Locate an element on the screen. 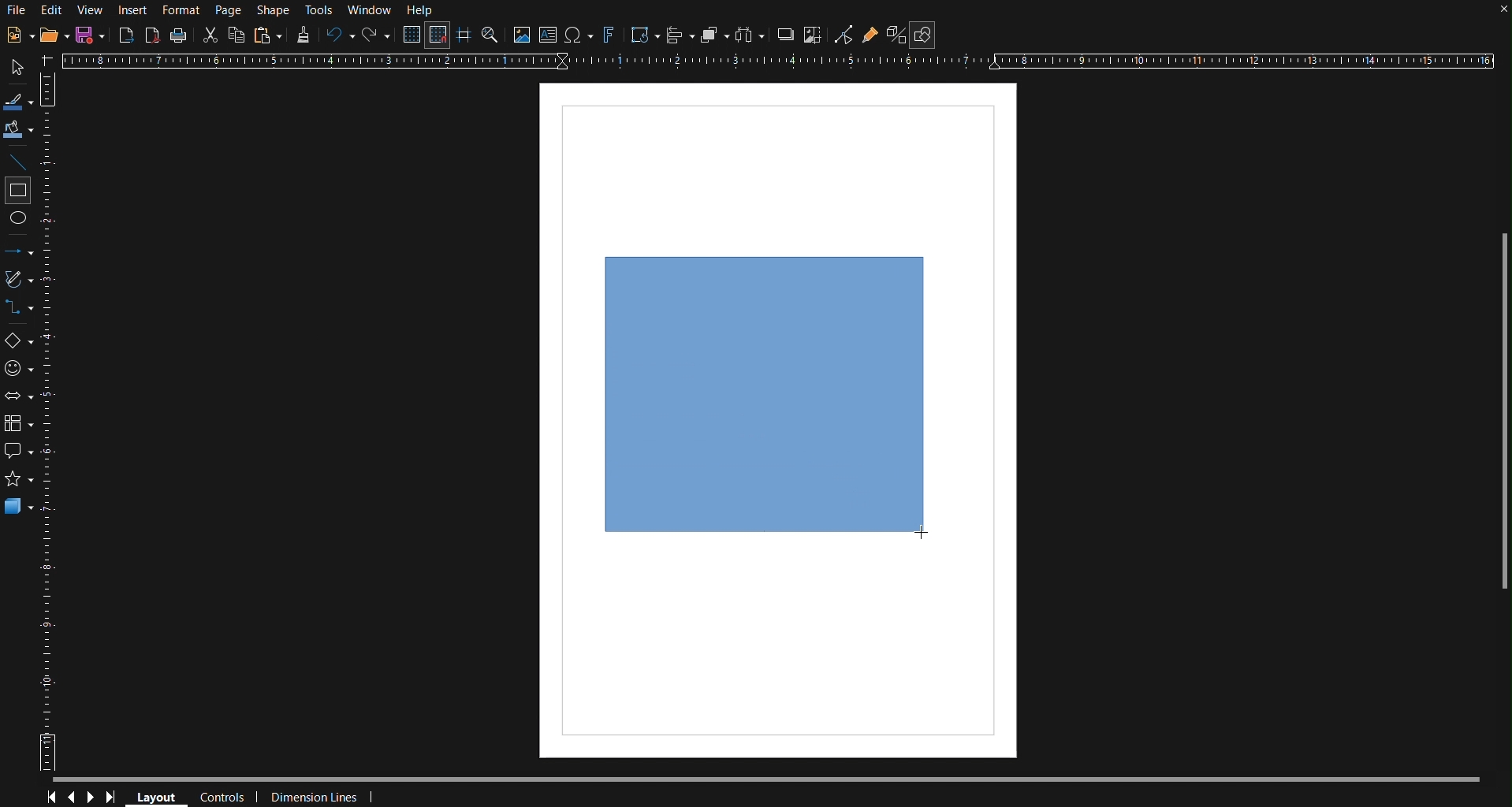  Cut is located at coordinates (208, 35).